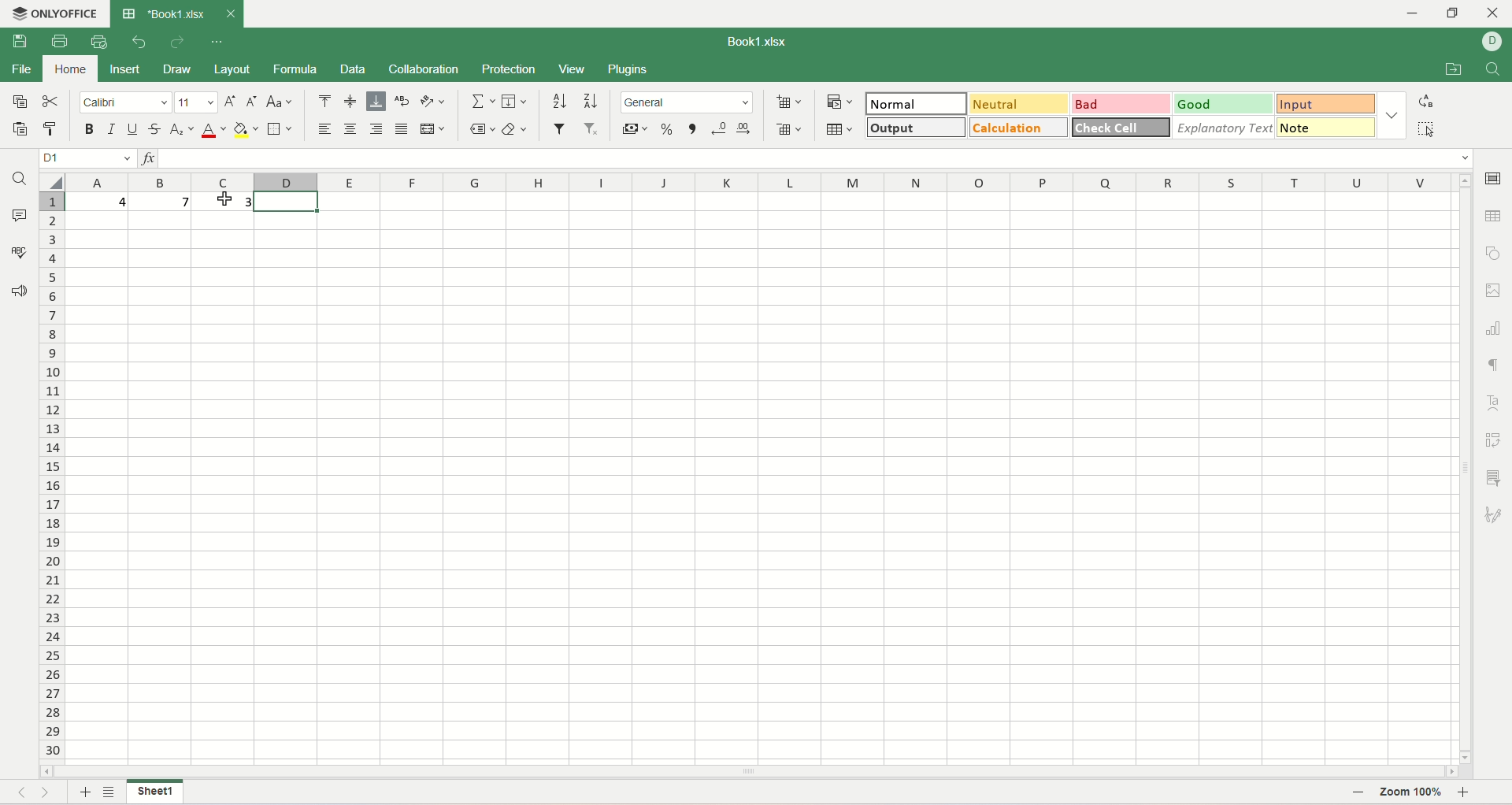 This screenshot has height=805, width=1512. Describe the element at coordinates (196, 101) in the screenshot. I see `font size` at that location.